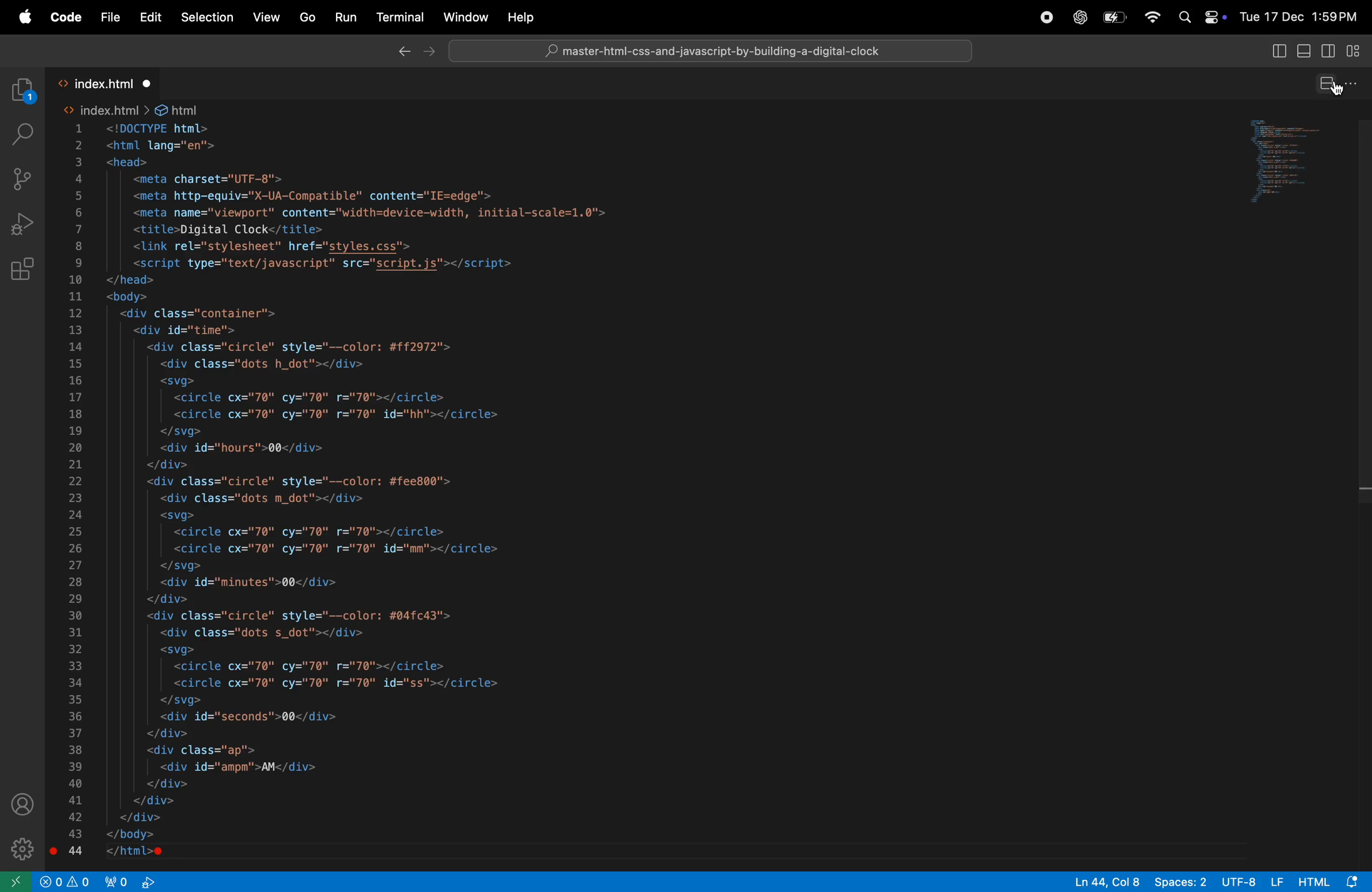 The image size is (1372, 892). I want to click on settings, so click(22, 846).